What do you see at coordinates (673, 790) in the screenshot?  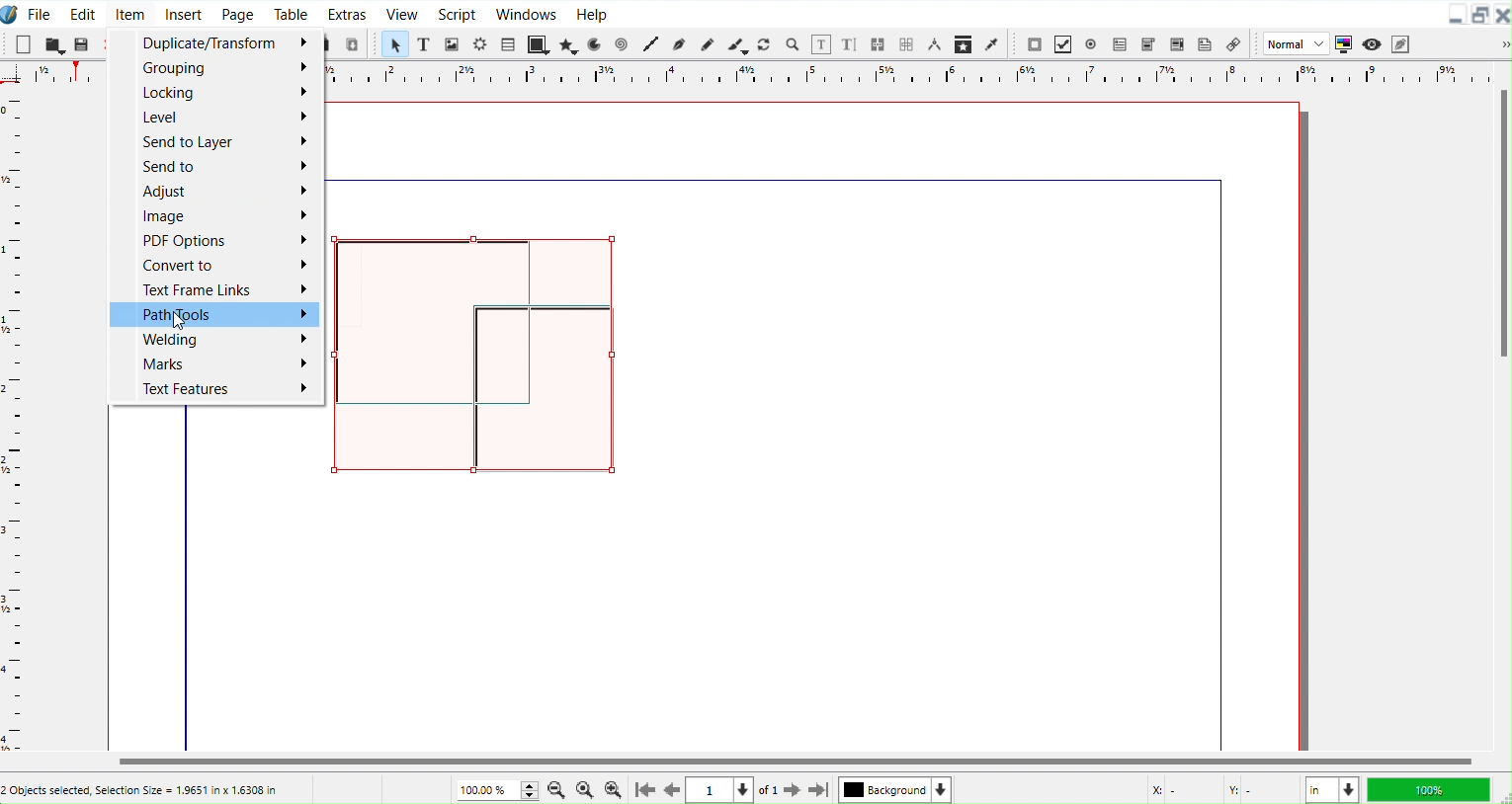 I see `Go to previous Page` at bounding box center [673, 790].